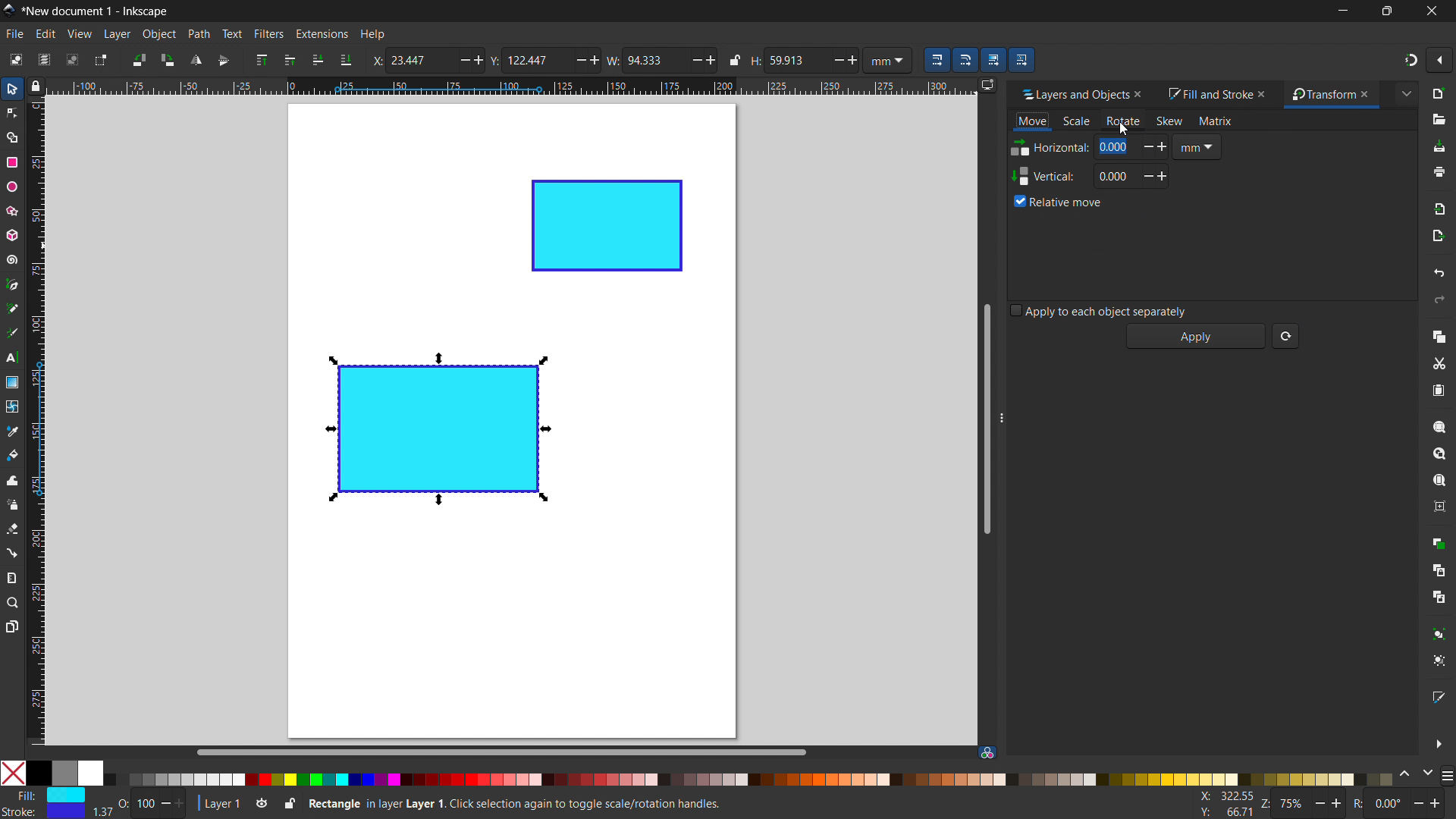 The width and height of the screenshot is (1456, 819). What do you see at coordinates (985, 417) in the screenshot?
I see `vertical scrollbar` at bounding box center [985, 417].